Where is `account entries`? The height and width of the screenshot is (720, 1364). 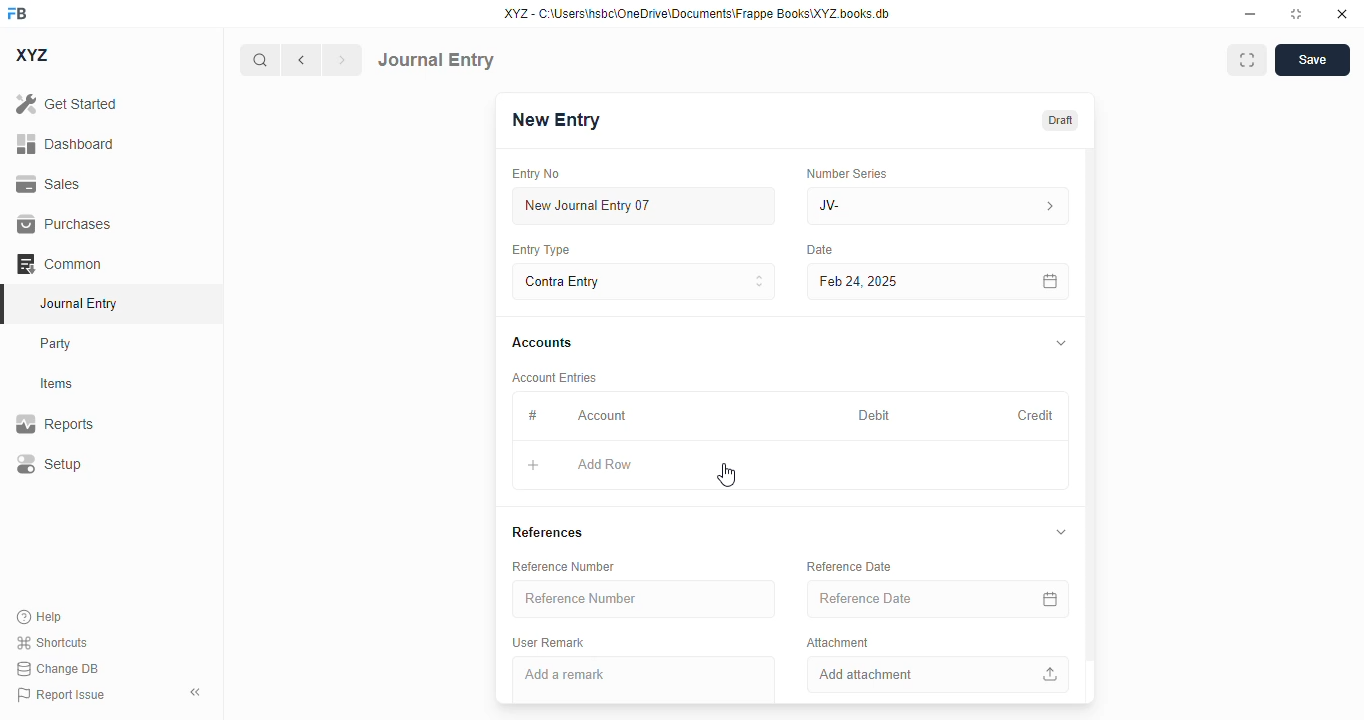
account entries is located at coordinates (556, 377).